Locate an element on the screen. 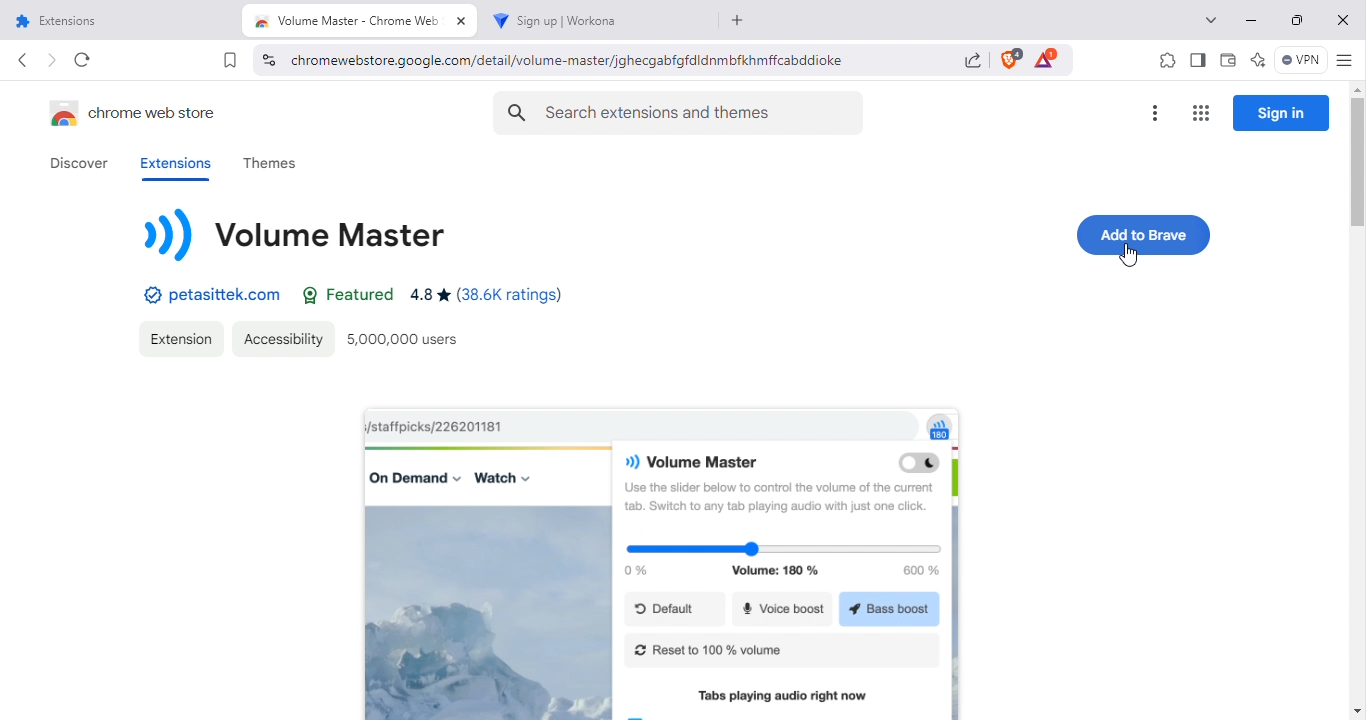 This screenshot has height=720, width=1366. Leo AI is located at coordinates (1257, 59).